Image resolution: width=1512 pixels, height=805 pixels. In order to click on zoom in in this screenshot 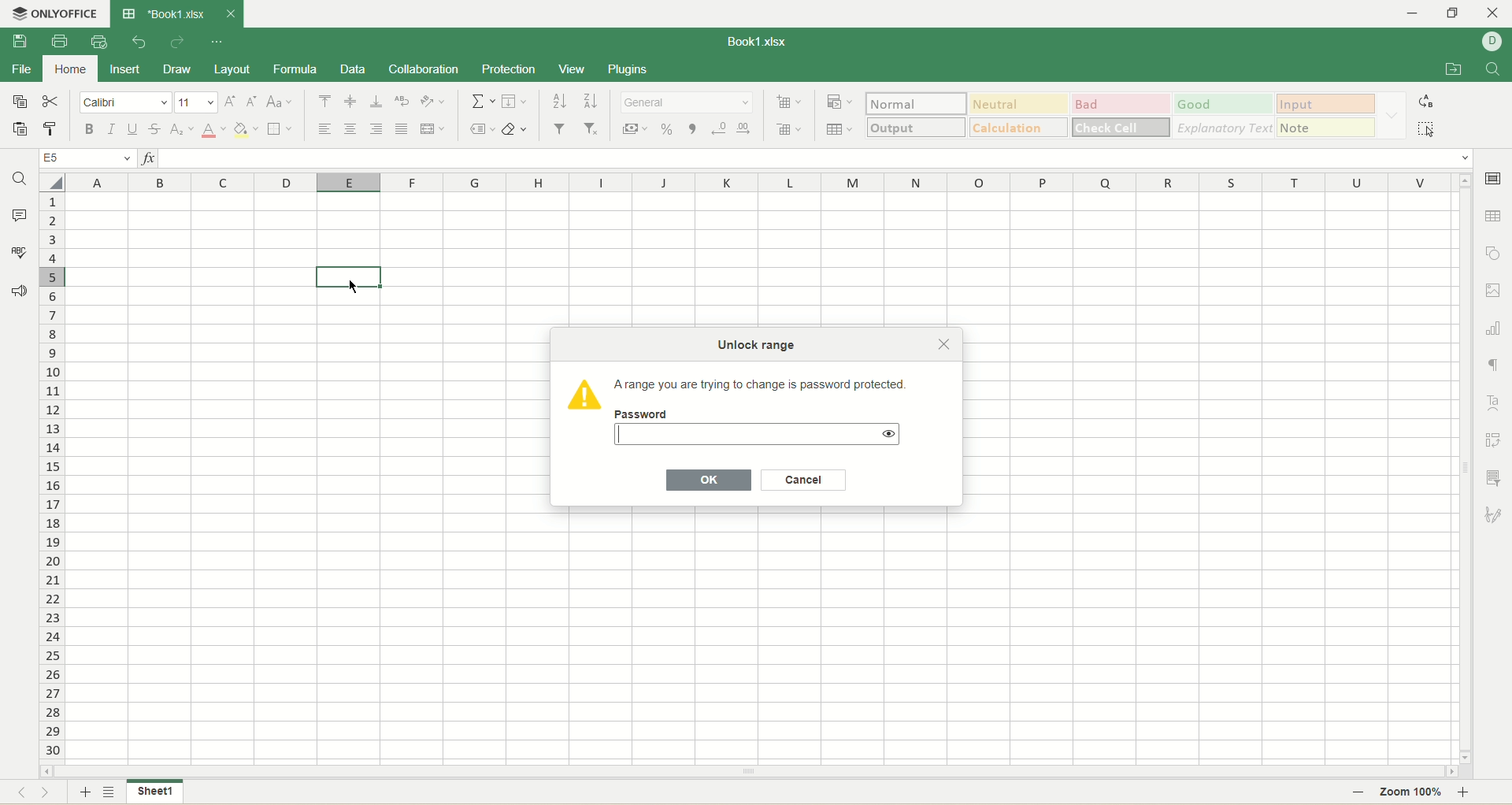, I will do `click(1469, 793)`.